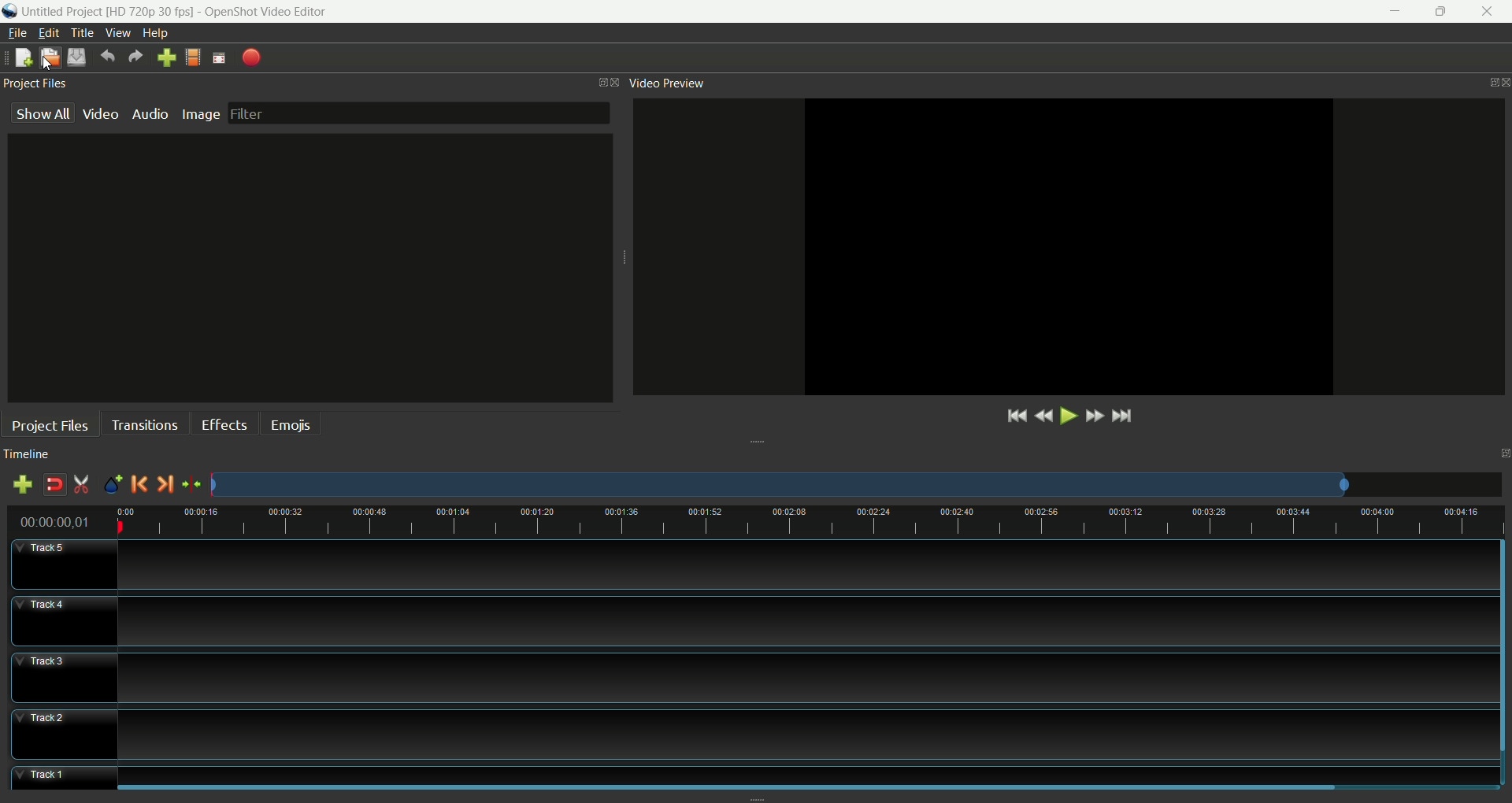 This screenshot has width=1512, height=803. What do you see at coordinates (1478, 77) in the screenshot?
I see `maximize` at bounding box center [1478, 77].